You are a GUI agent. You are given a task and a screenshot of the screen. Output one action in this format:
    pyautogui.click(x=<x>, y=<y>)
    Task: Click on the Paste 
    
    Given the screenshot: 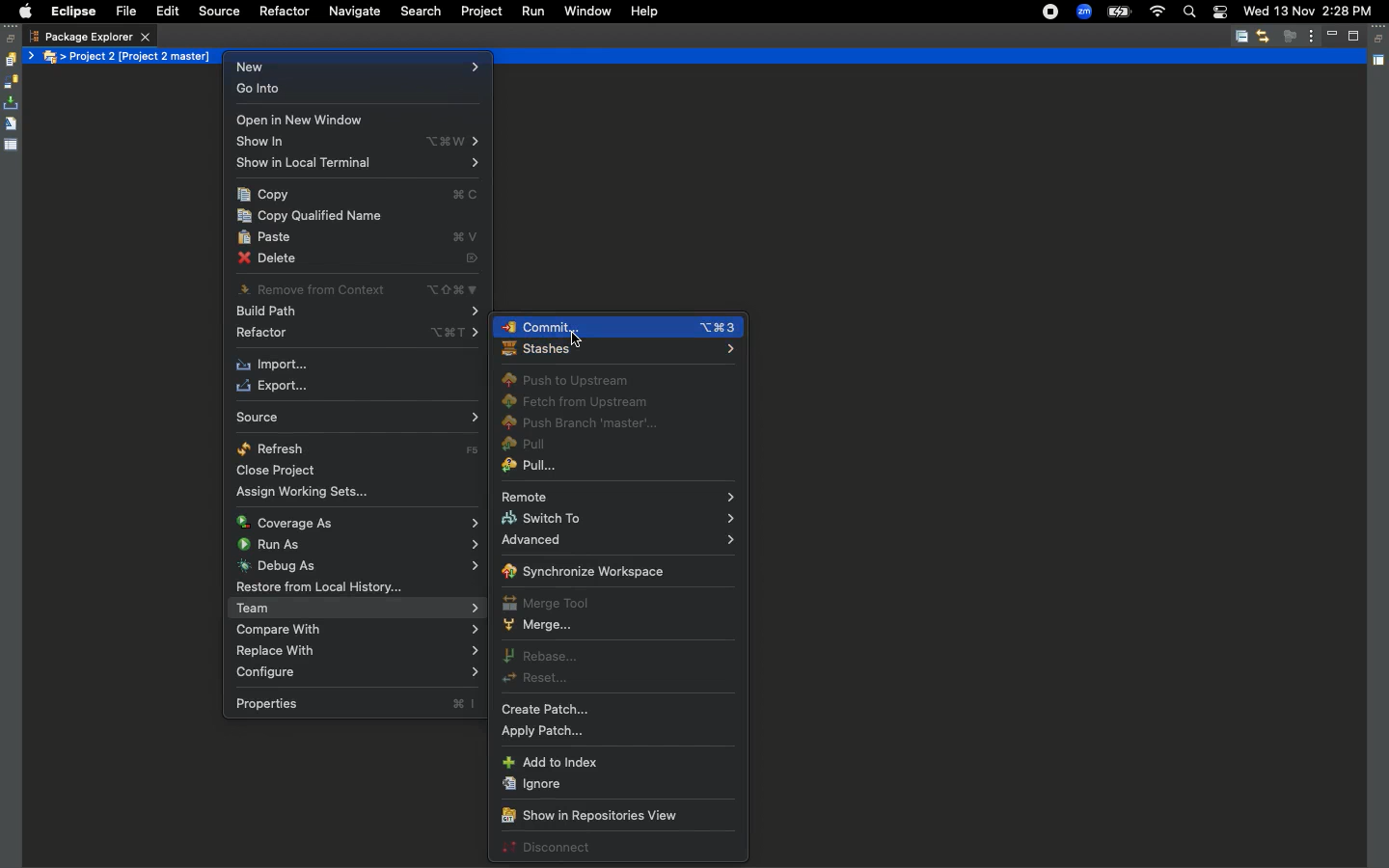 What is the action you would take?
    pyautogui.click(x=360, y=237)
    